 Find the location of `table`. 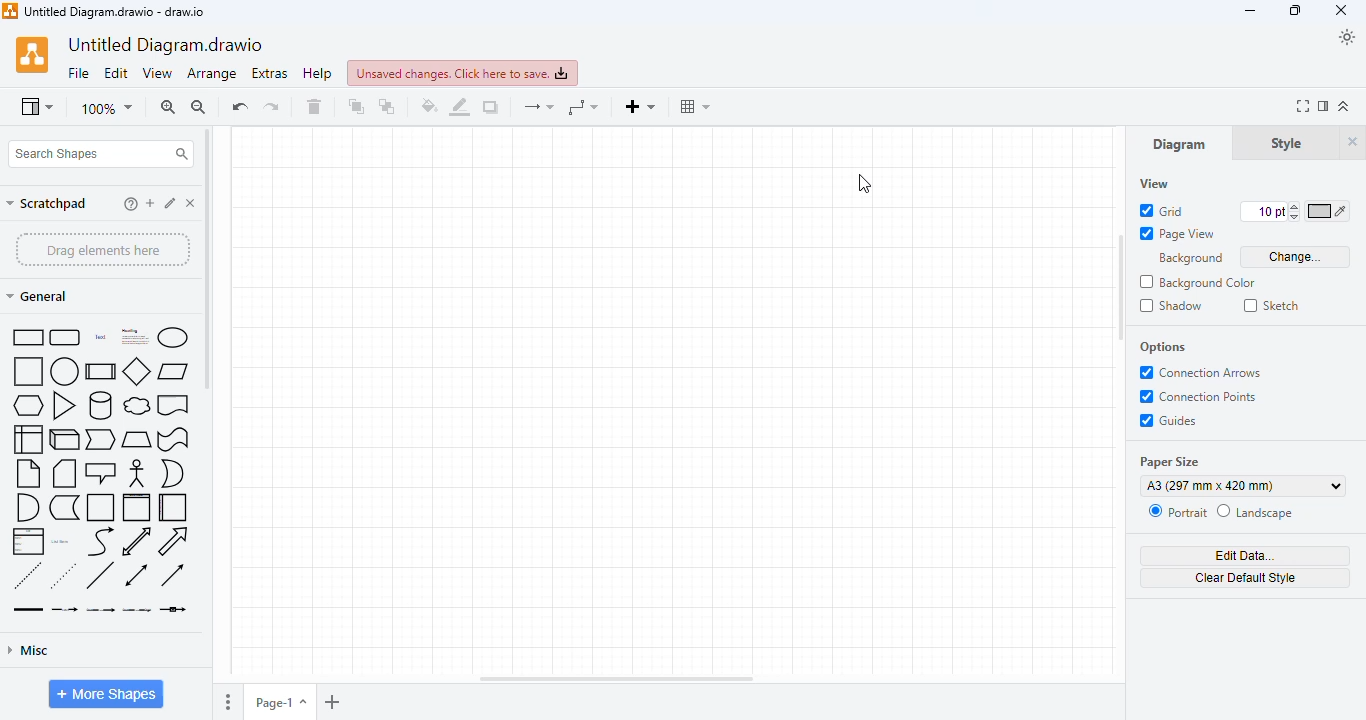

table is located at coordinates (694, 106).